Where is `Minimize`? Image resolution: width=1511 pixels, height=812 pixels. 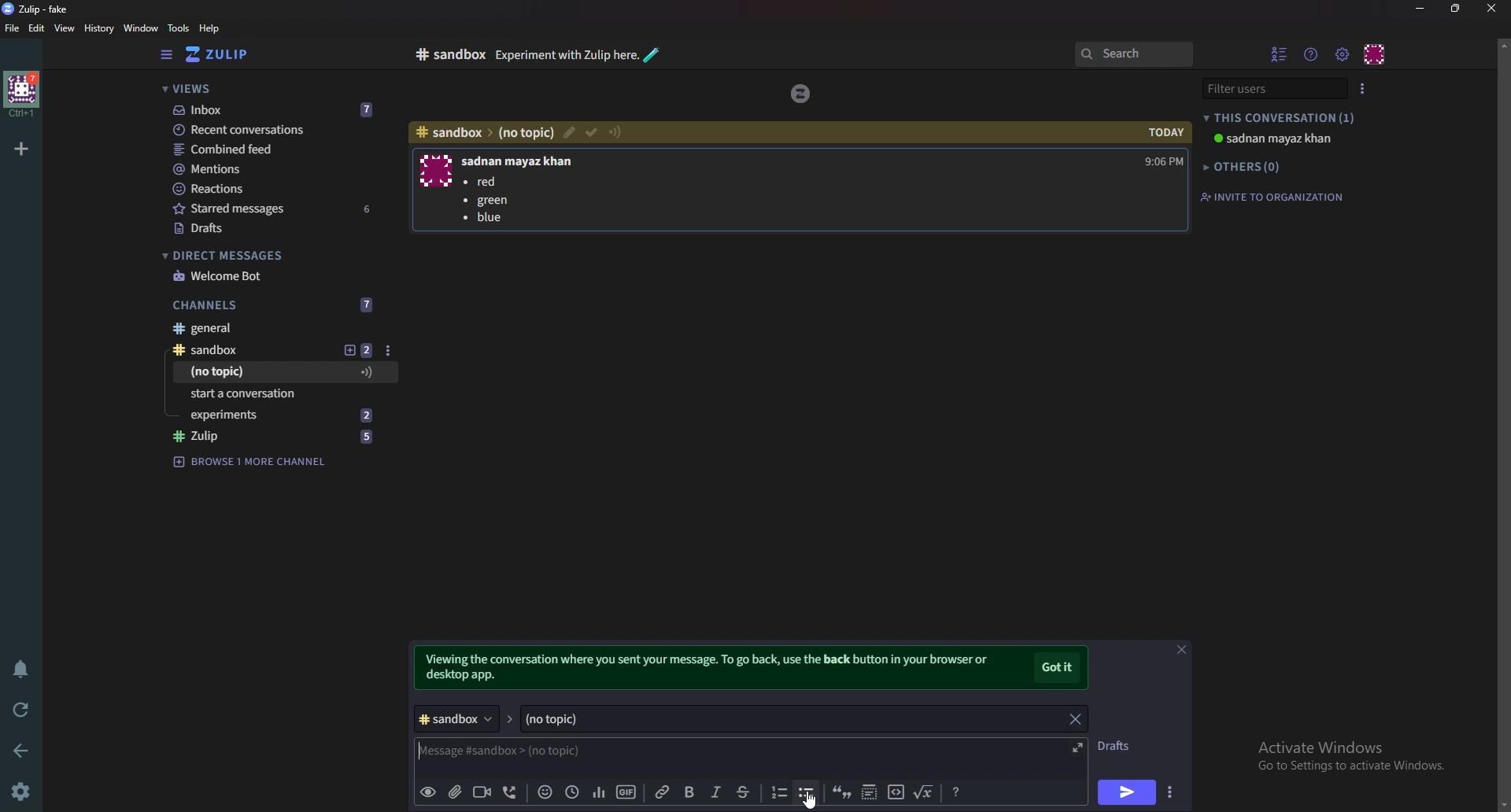 Minimize is located at coordinates (1422, 9).